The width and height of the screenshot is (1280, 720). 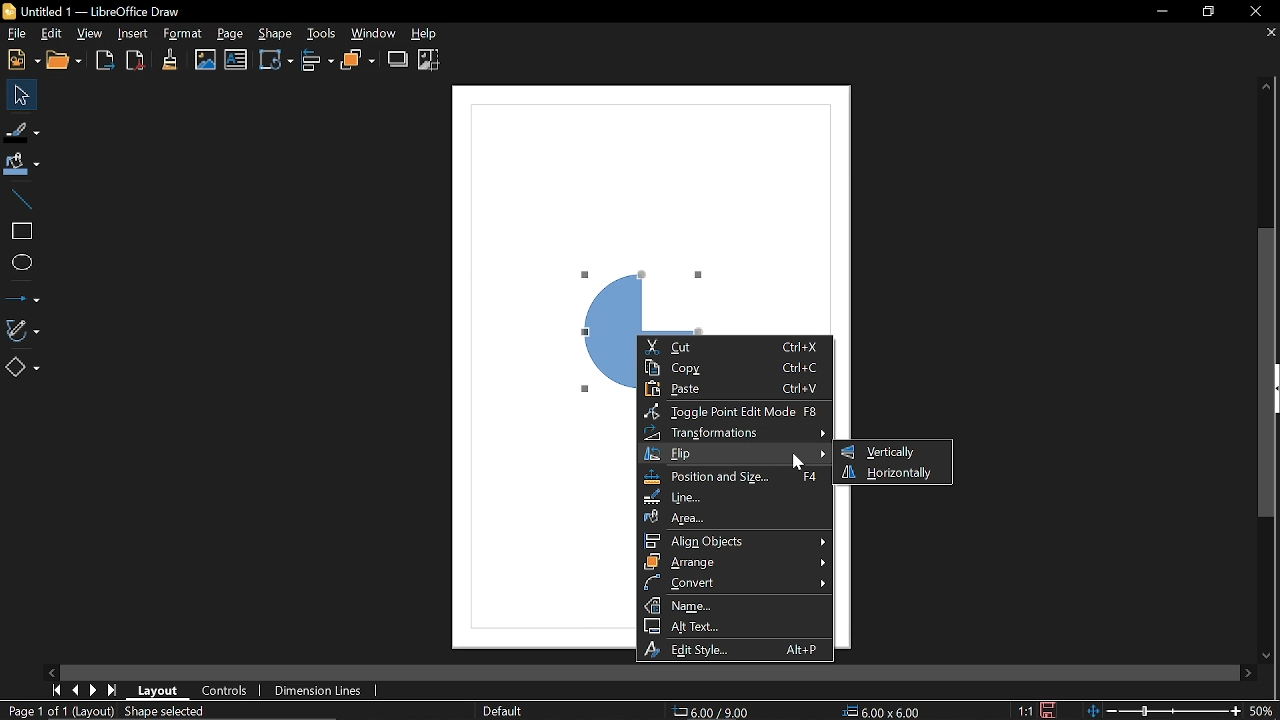 What do you see at coordinates (398, 59) in the screenshot?
I see `Shadow` at bounding box center [398, 59].